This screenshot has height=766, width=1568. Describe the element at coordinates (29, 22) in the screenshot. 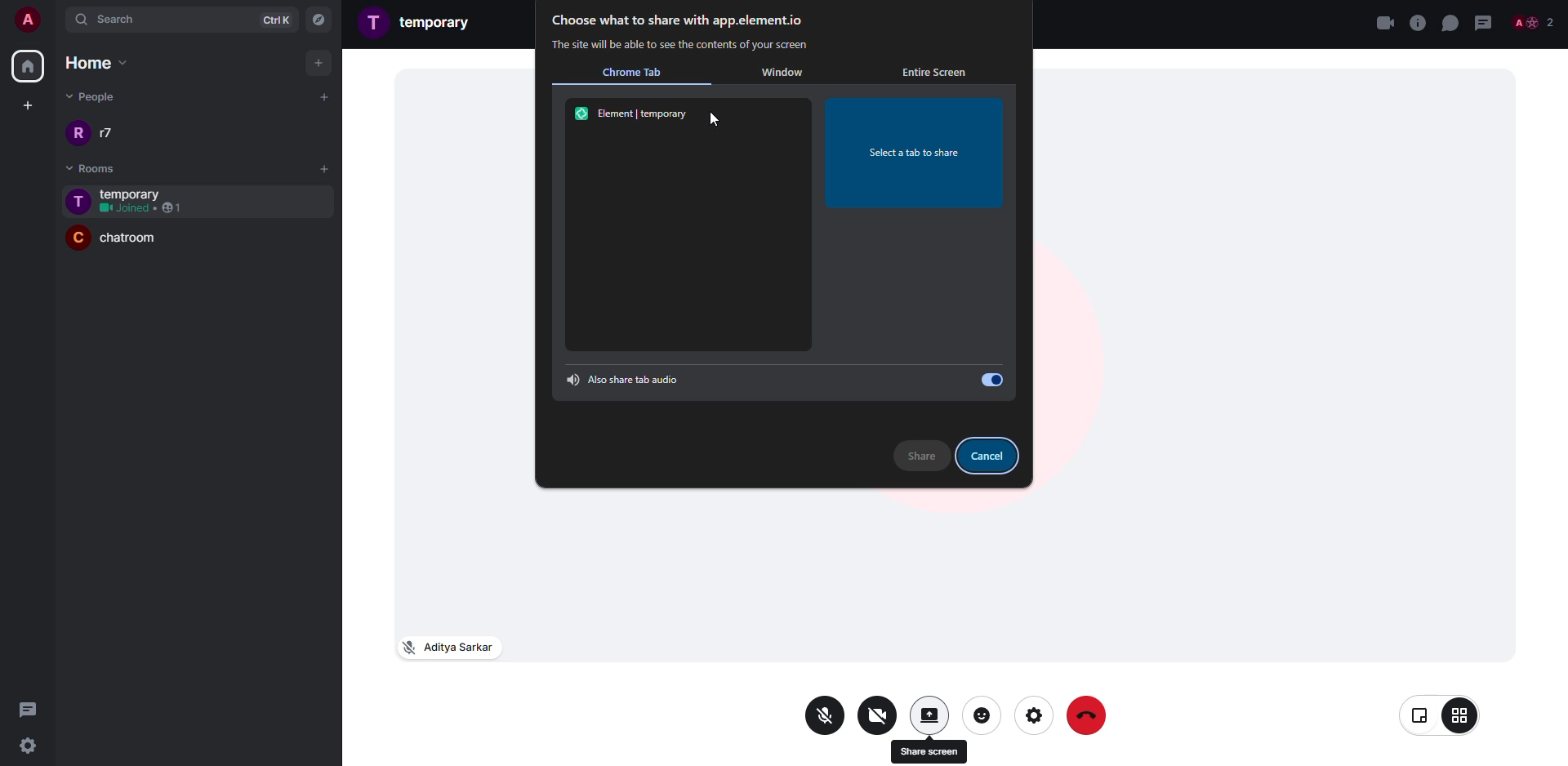

I see `account` at that location.